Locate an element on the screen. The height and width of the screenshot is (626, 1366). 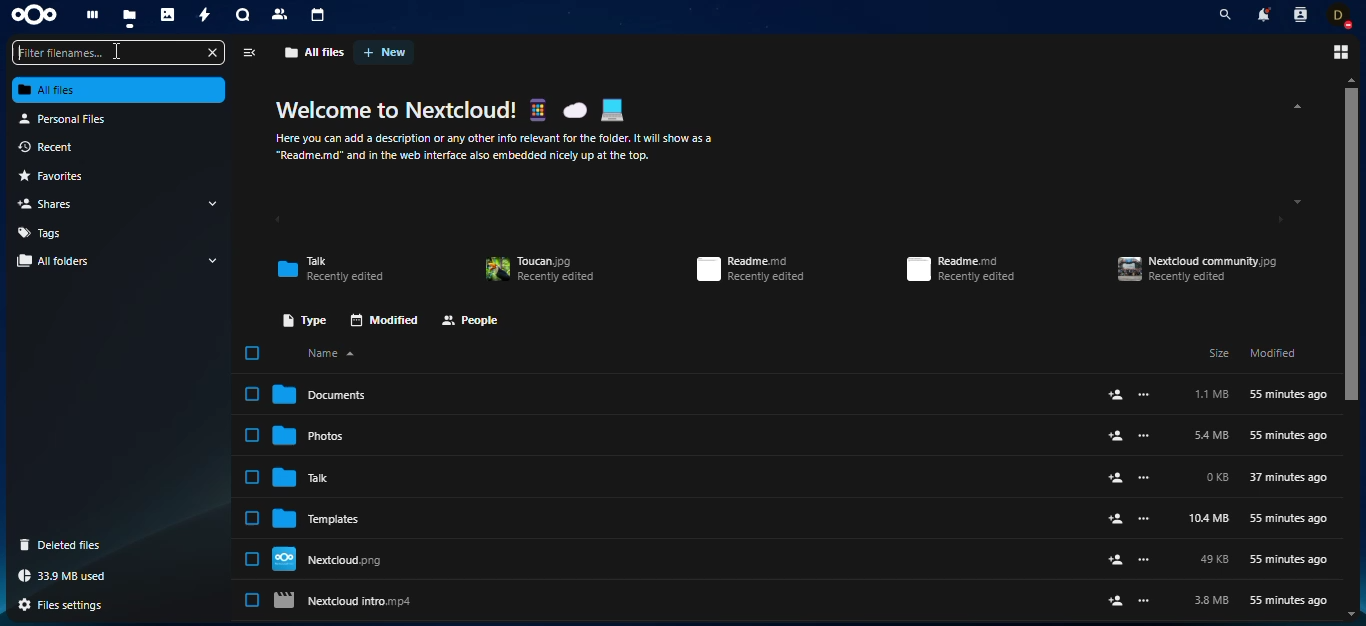
type is located at coordinates (300, 319).